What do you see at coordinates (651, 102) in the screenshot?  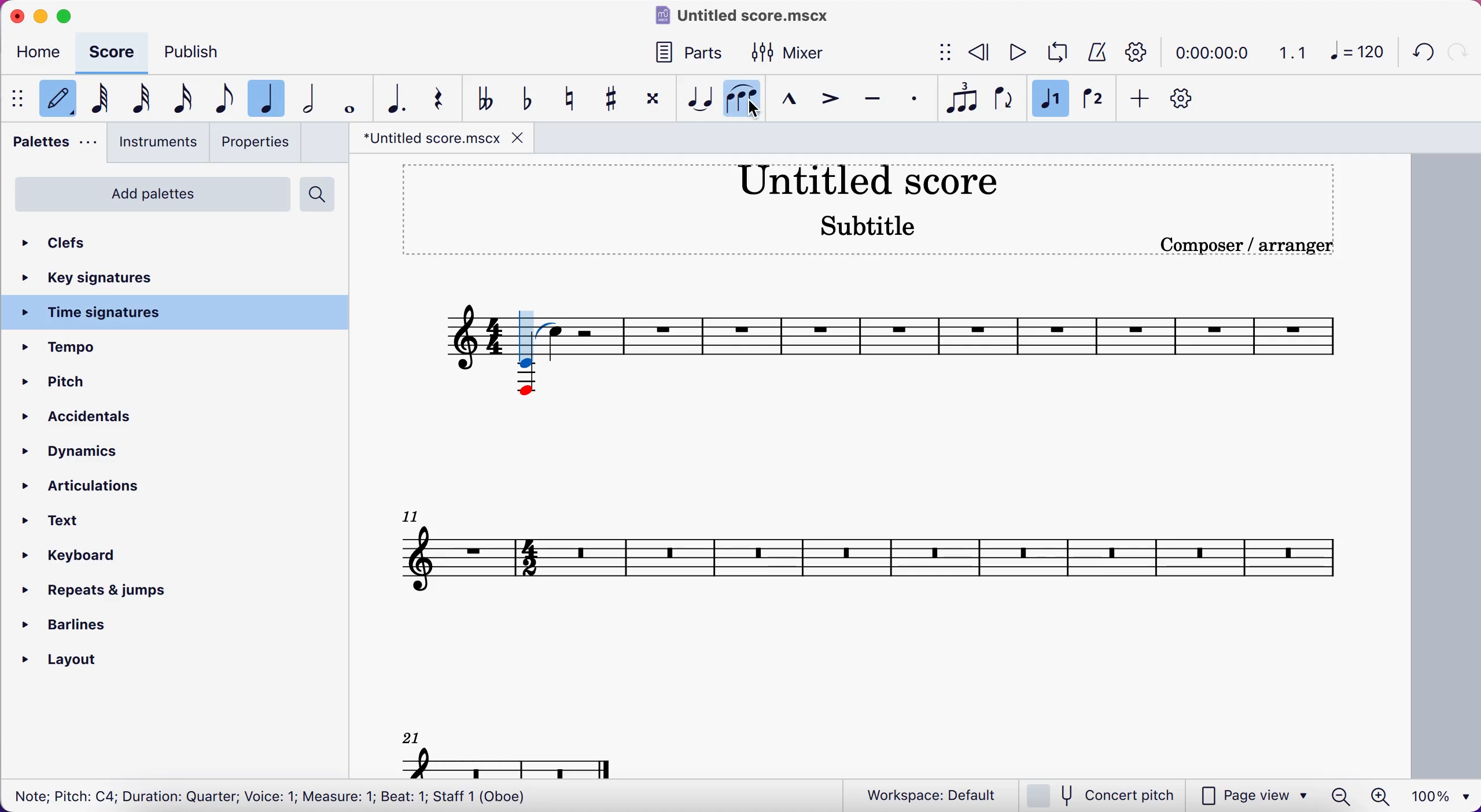 I see `toggle double sharp` at bounding box center [651, 102].